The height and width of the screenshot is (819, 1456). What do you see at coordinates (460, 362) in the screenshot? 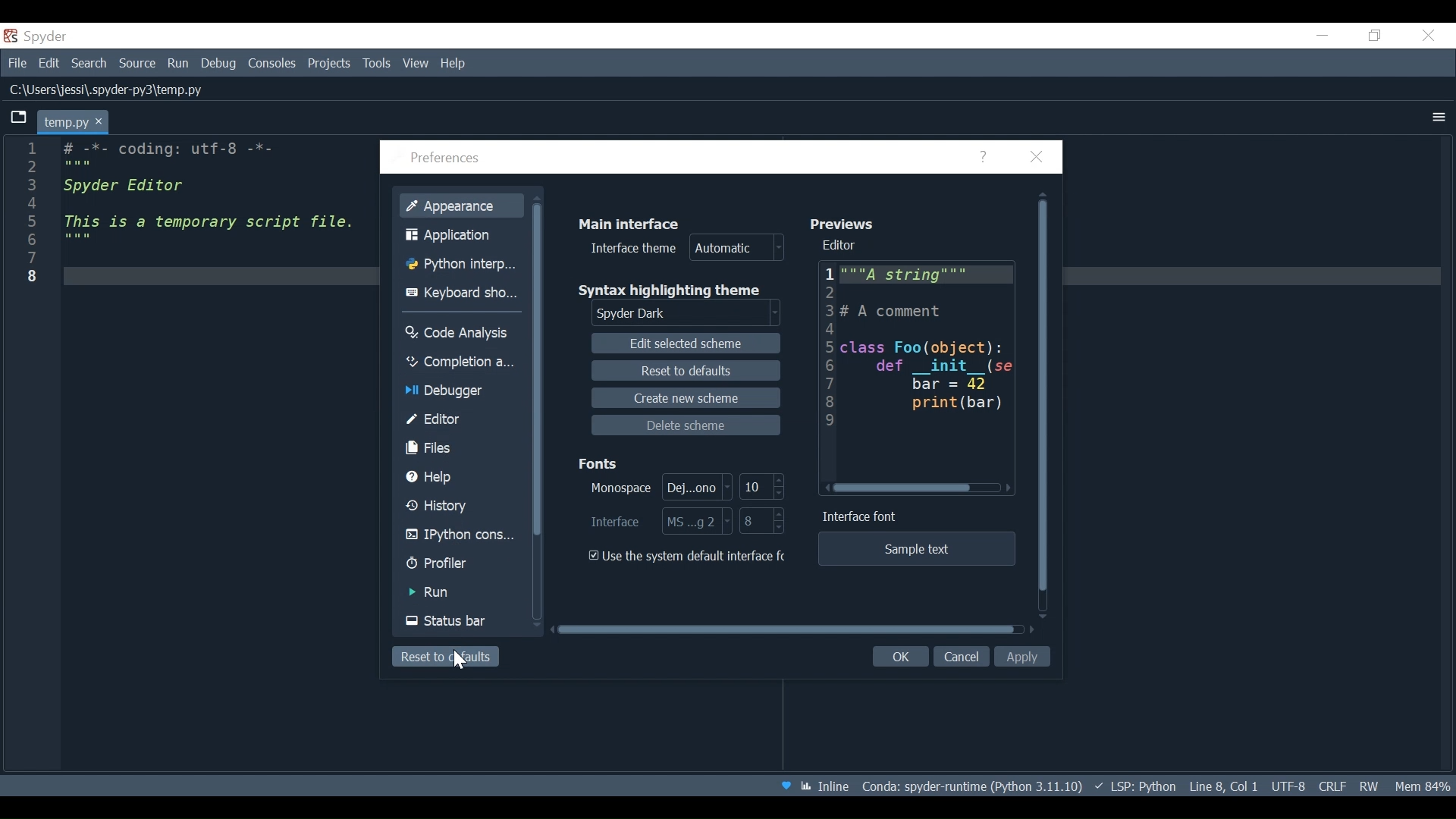
I see `Completion Analysis` at bounding box center [460, 362].